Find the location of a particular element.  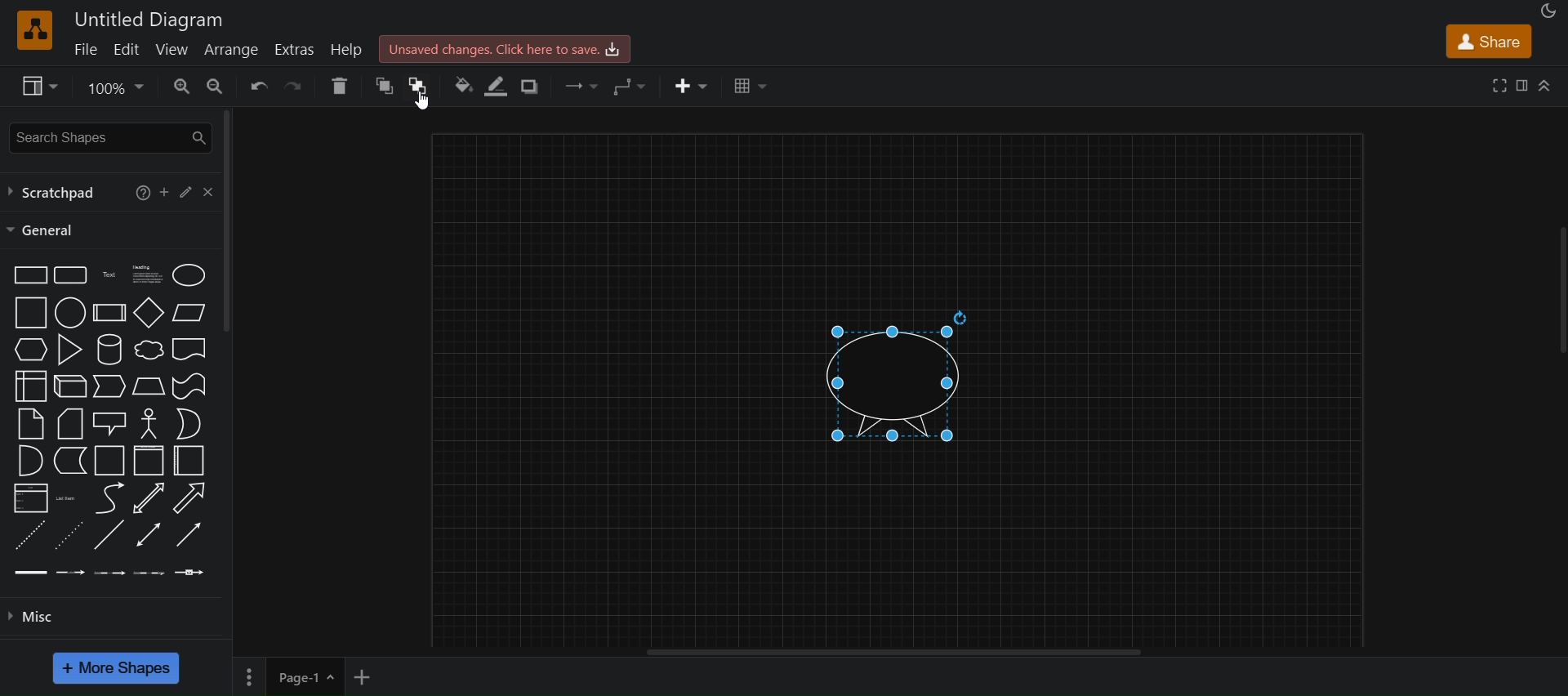

and is located at coordinates (28, 460).